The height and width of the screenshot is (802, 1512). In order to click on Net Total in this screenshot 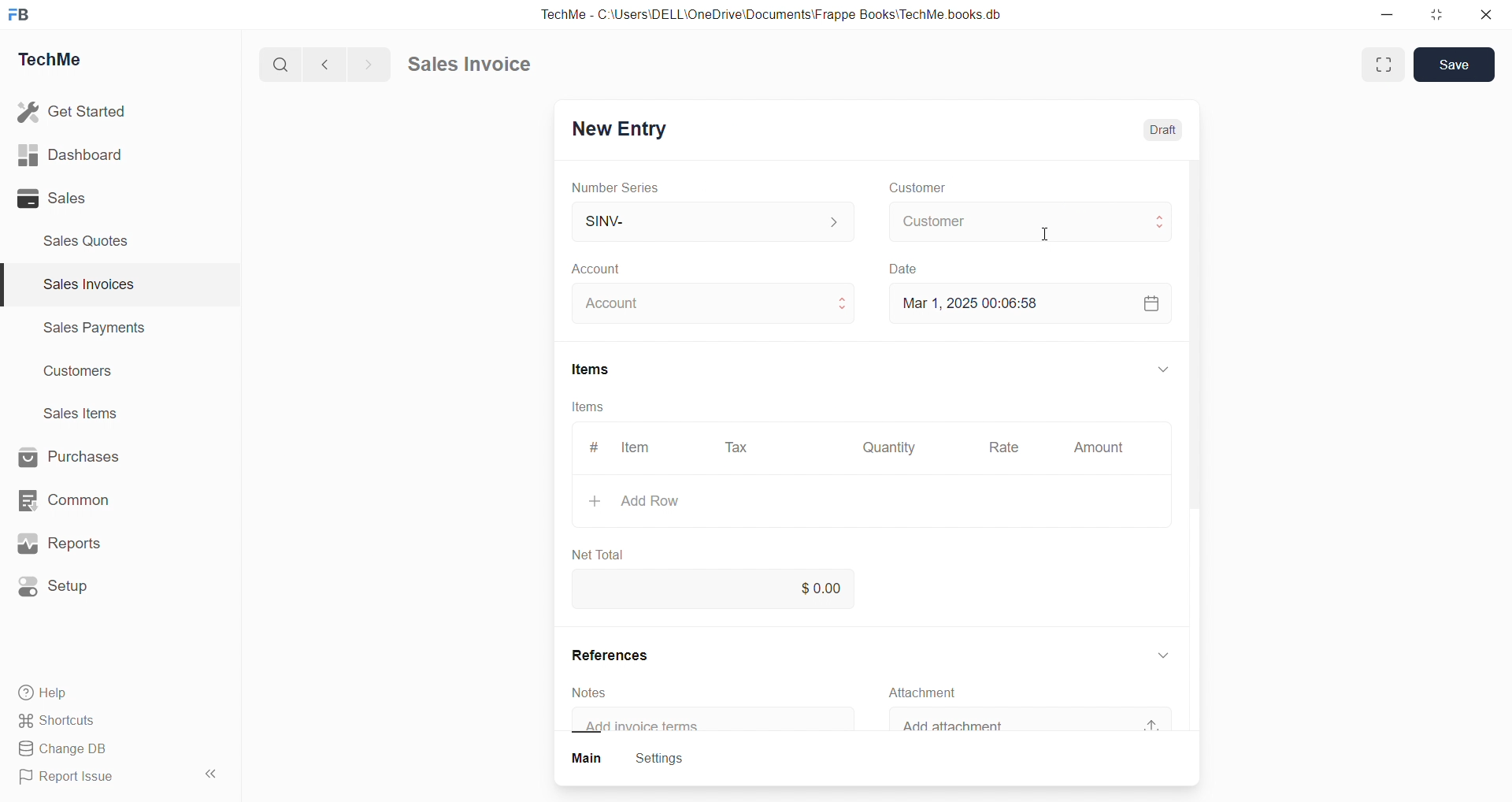, I will do `click(607, 550)`.